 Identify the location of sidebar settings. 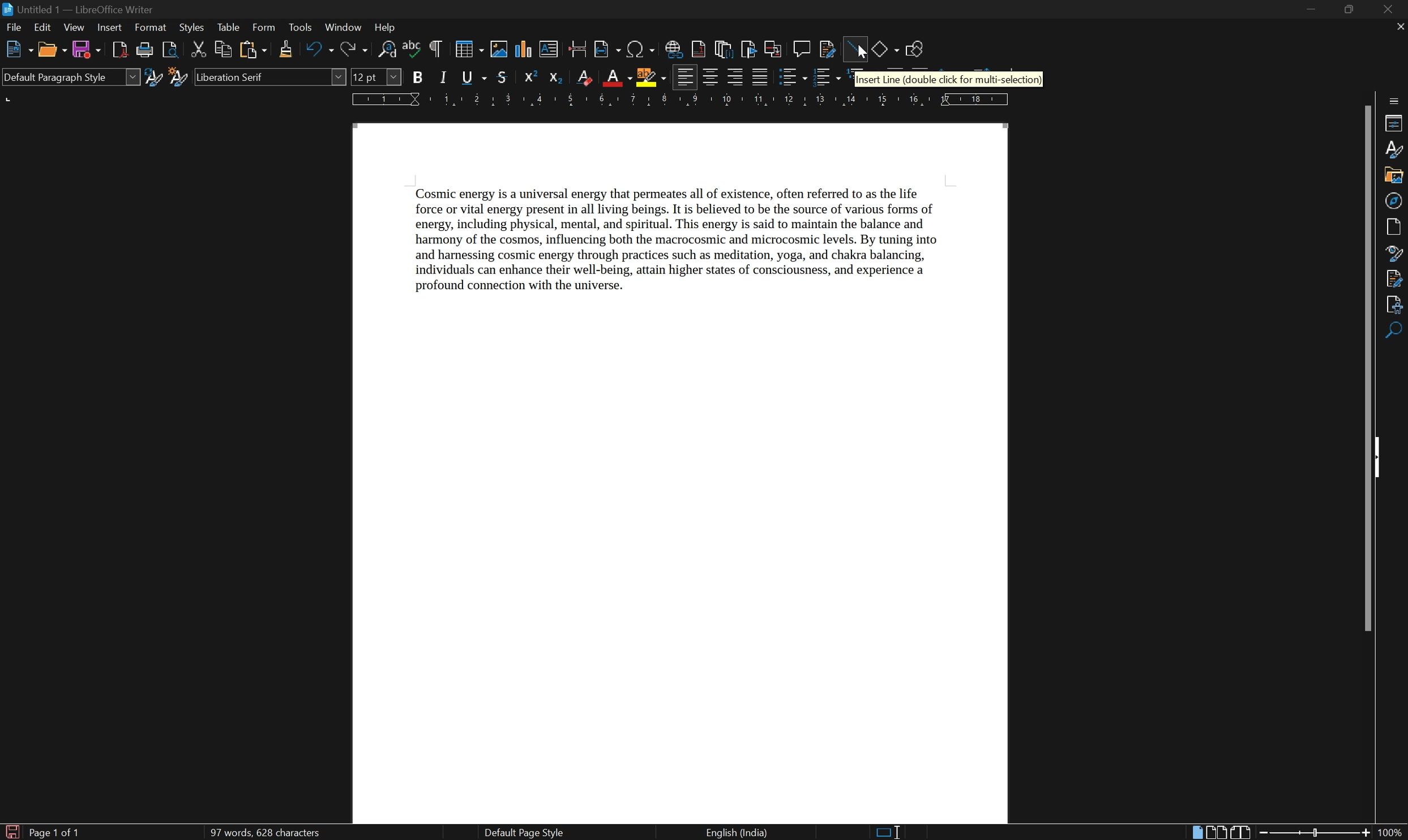
(1395, 99).